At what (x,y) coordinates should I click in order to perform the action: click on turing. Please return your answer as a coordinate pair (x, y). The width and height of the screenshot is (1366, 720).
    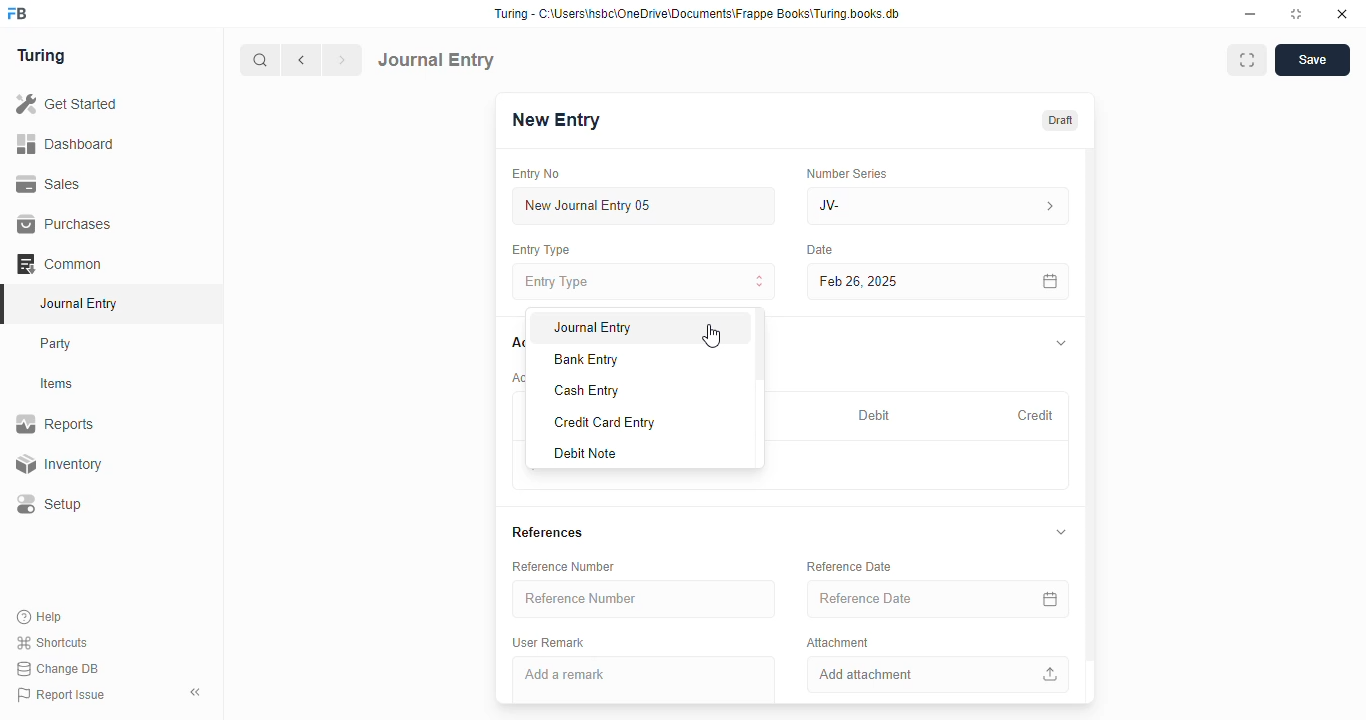
    Looking at the image, I should click on (42, 57).